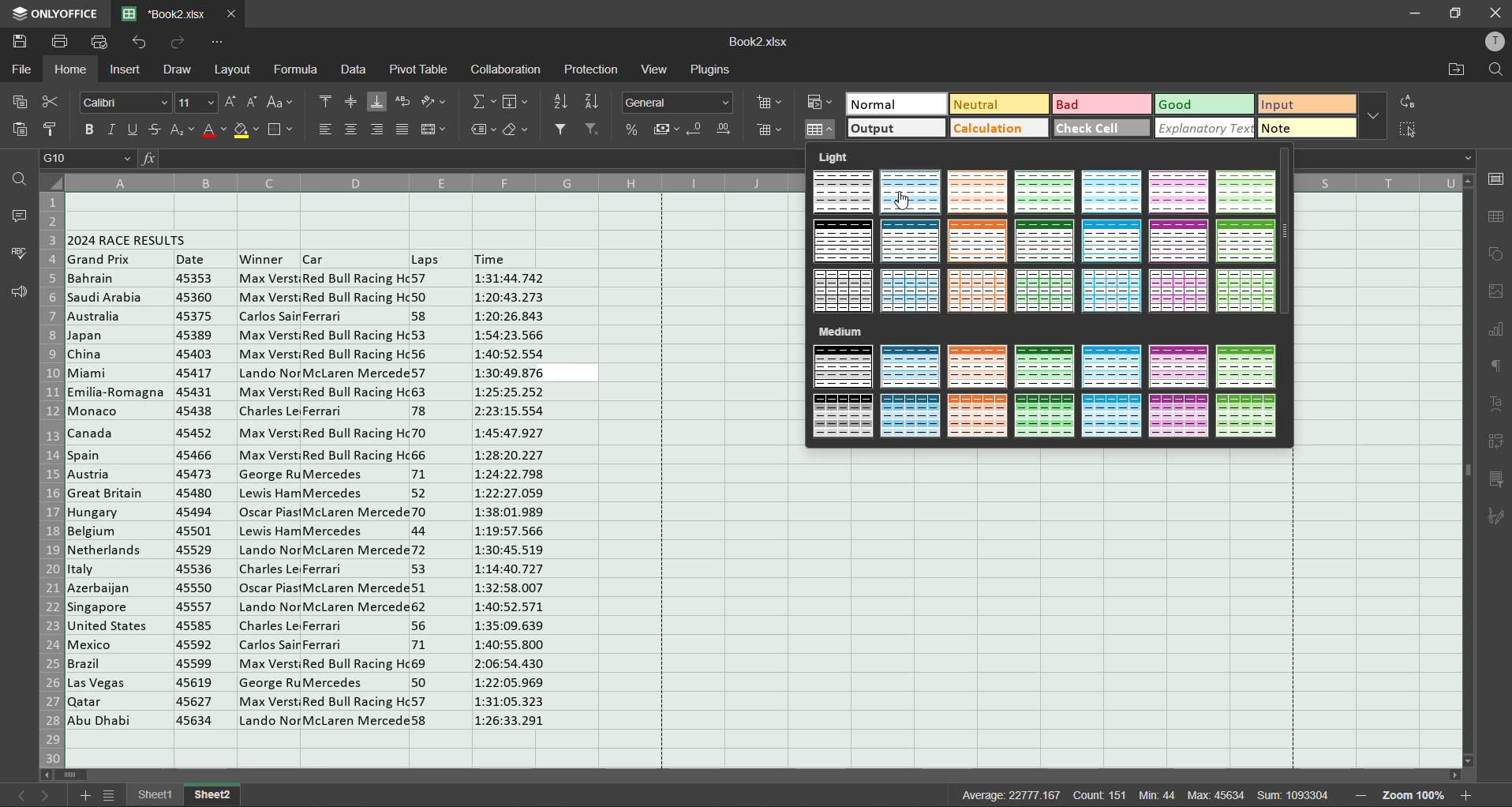  Describe the element at coordinates (518, 132) in the screenshot. I see `clear` at that location.